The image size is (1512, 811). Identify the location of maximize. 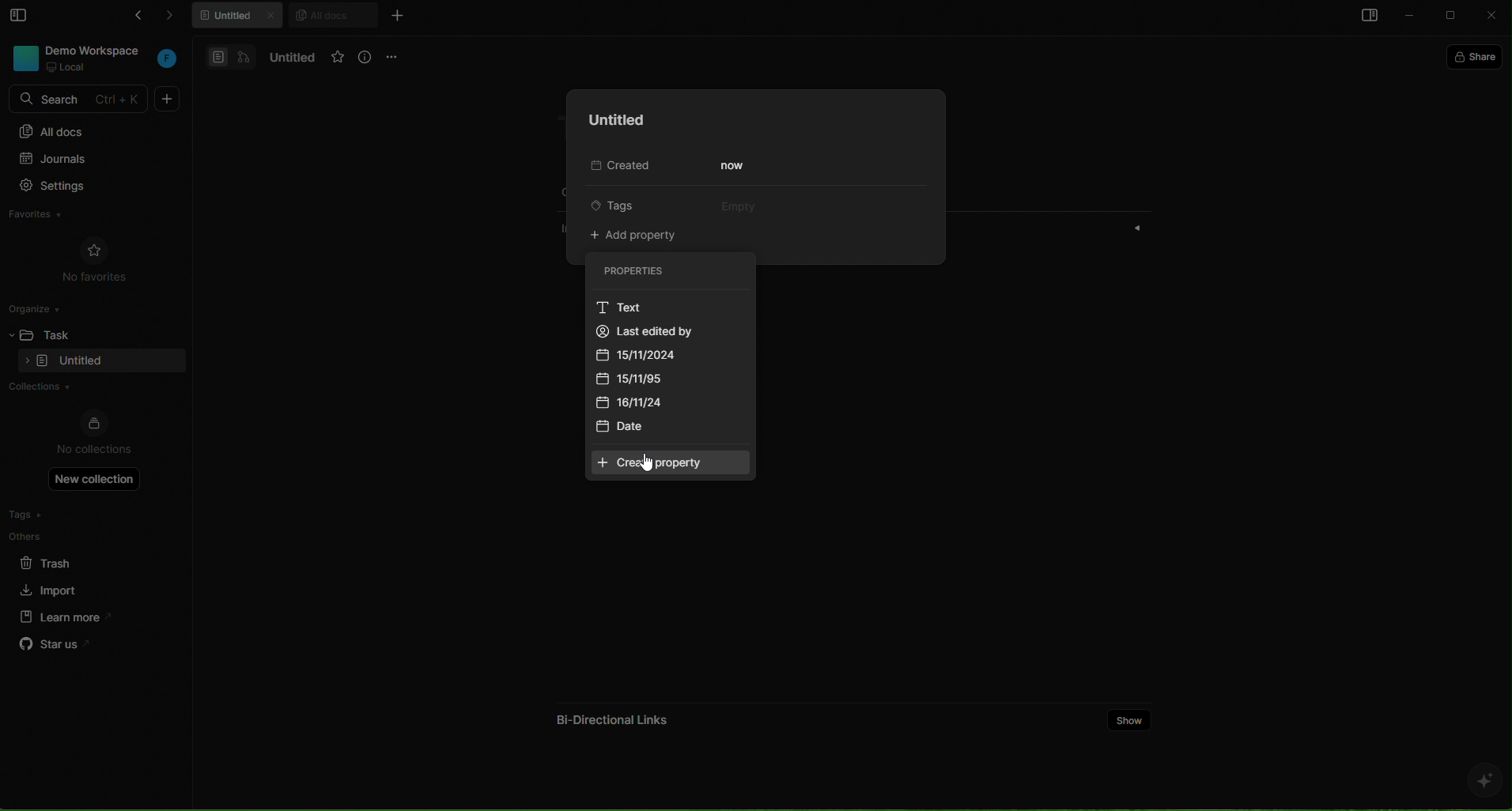
(1453, 17).